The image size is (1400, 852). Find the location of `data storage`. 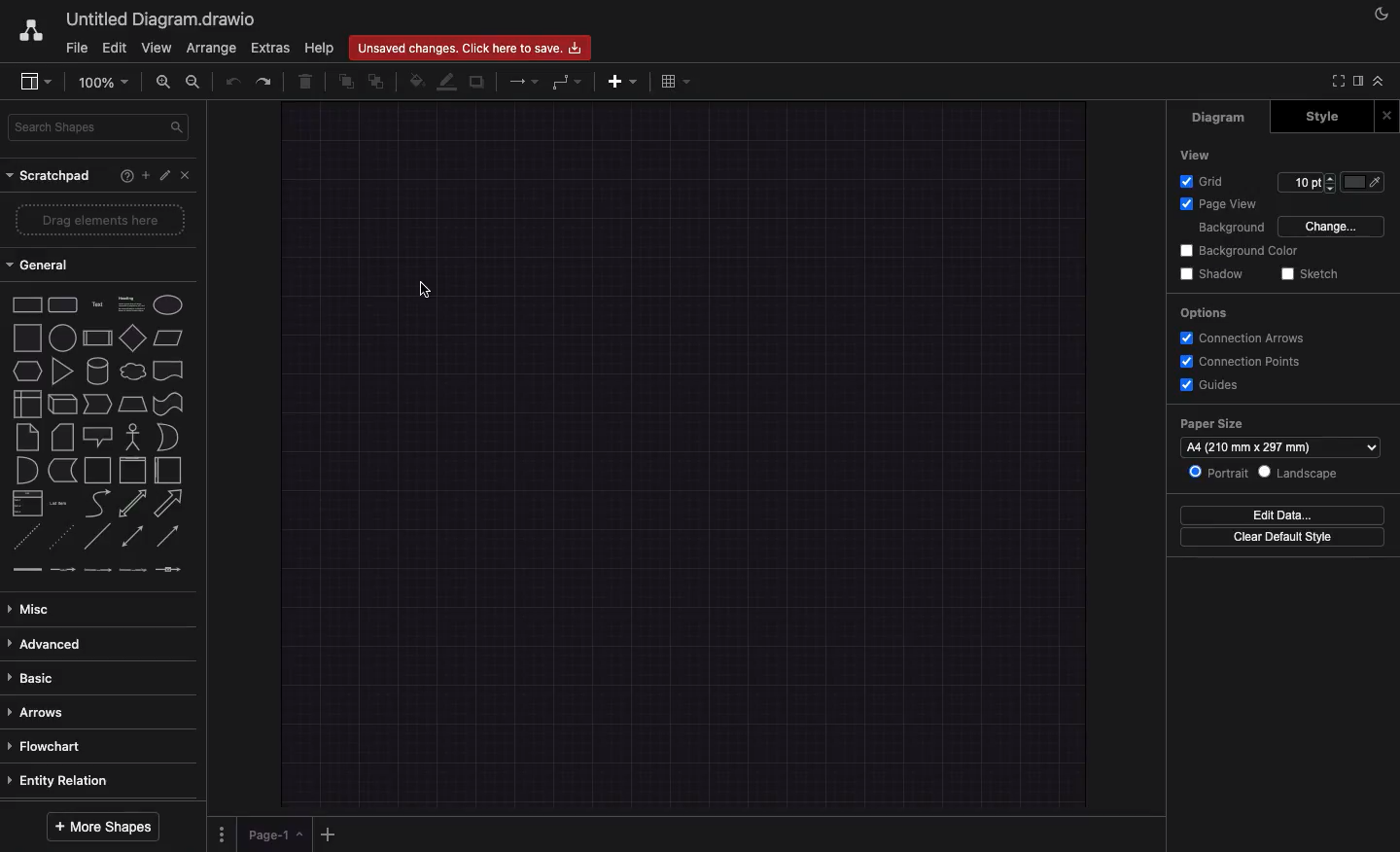

data storage is located at coordinates (62, 471).